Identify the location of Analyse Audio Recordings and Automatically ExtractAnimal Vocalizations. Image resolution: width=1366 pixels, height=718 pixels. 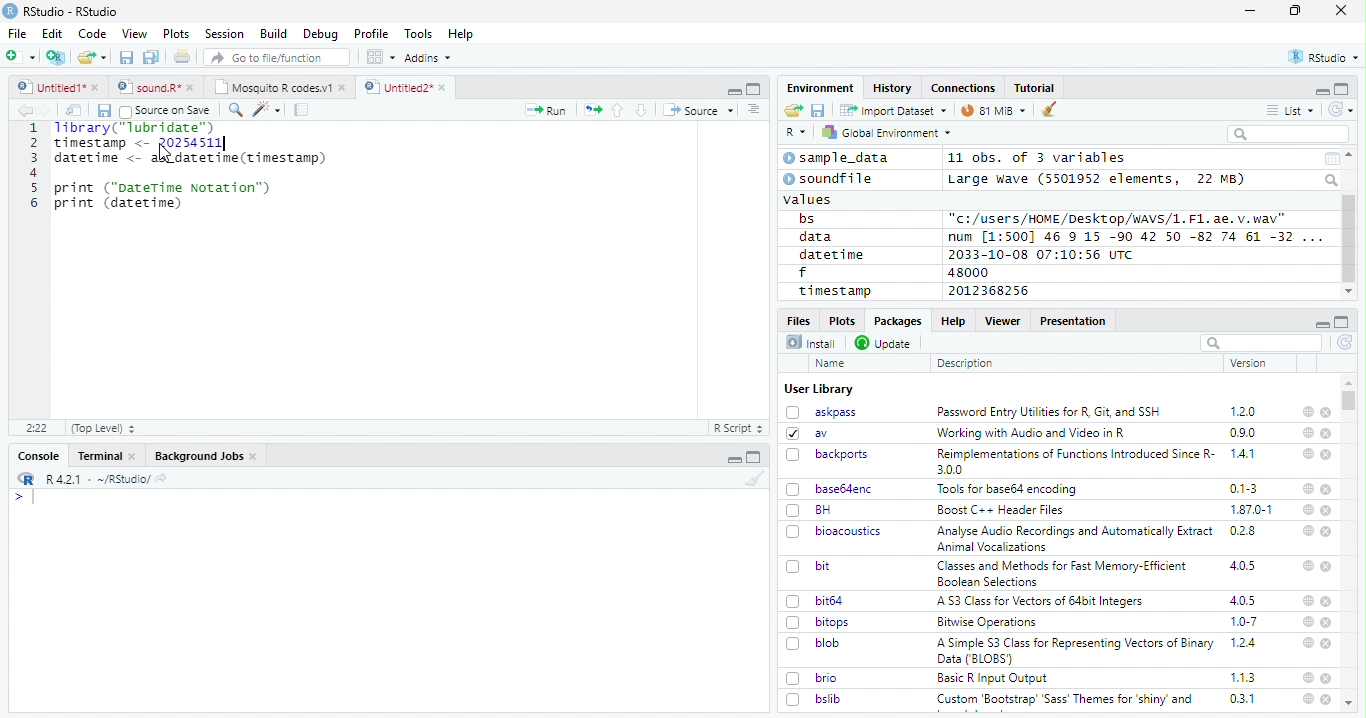
(1071, 538).